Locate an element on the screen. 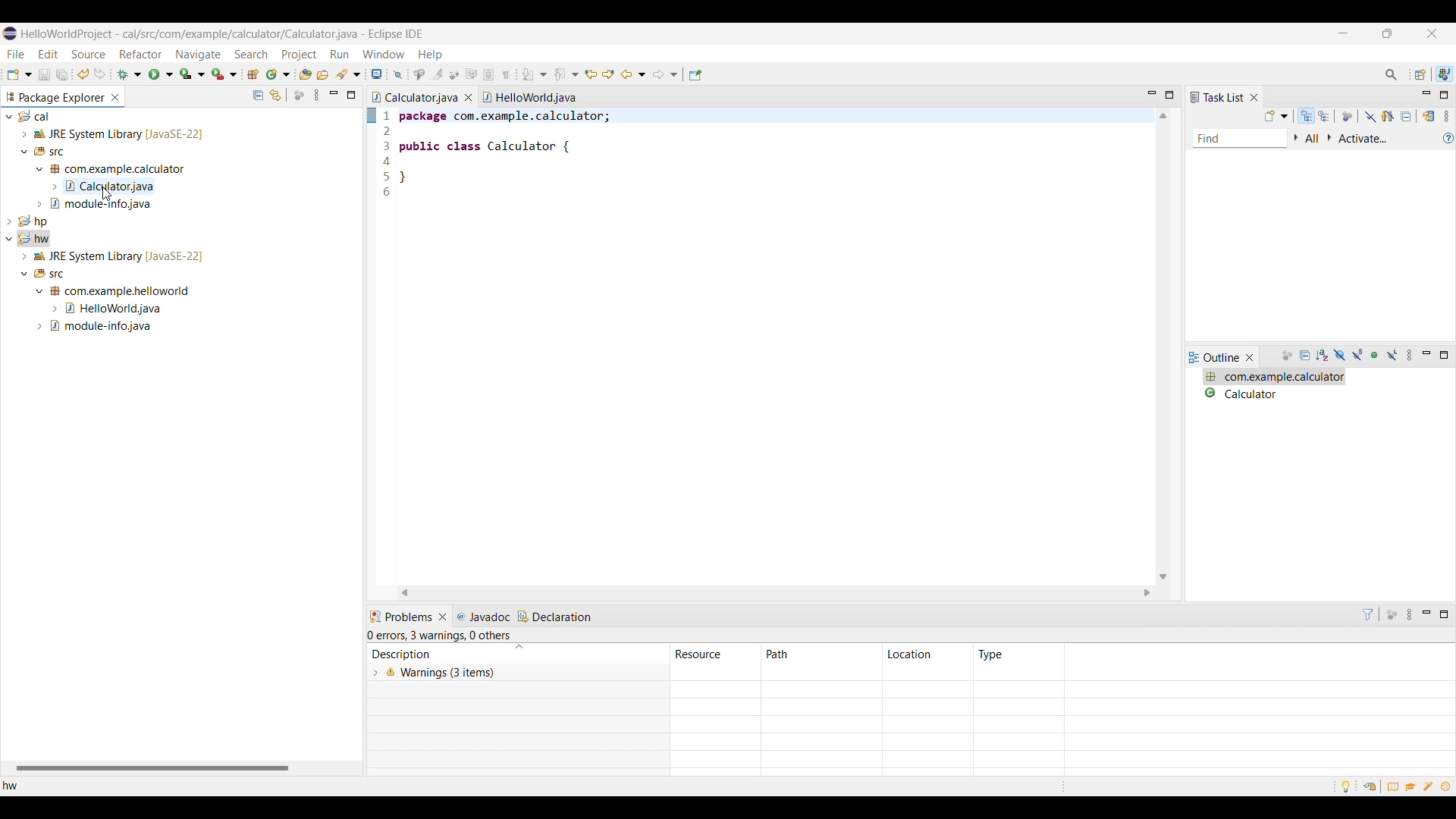  Launch options is located at coordinates (193, 74).